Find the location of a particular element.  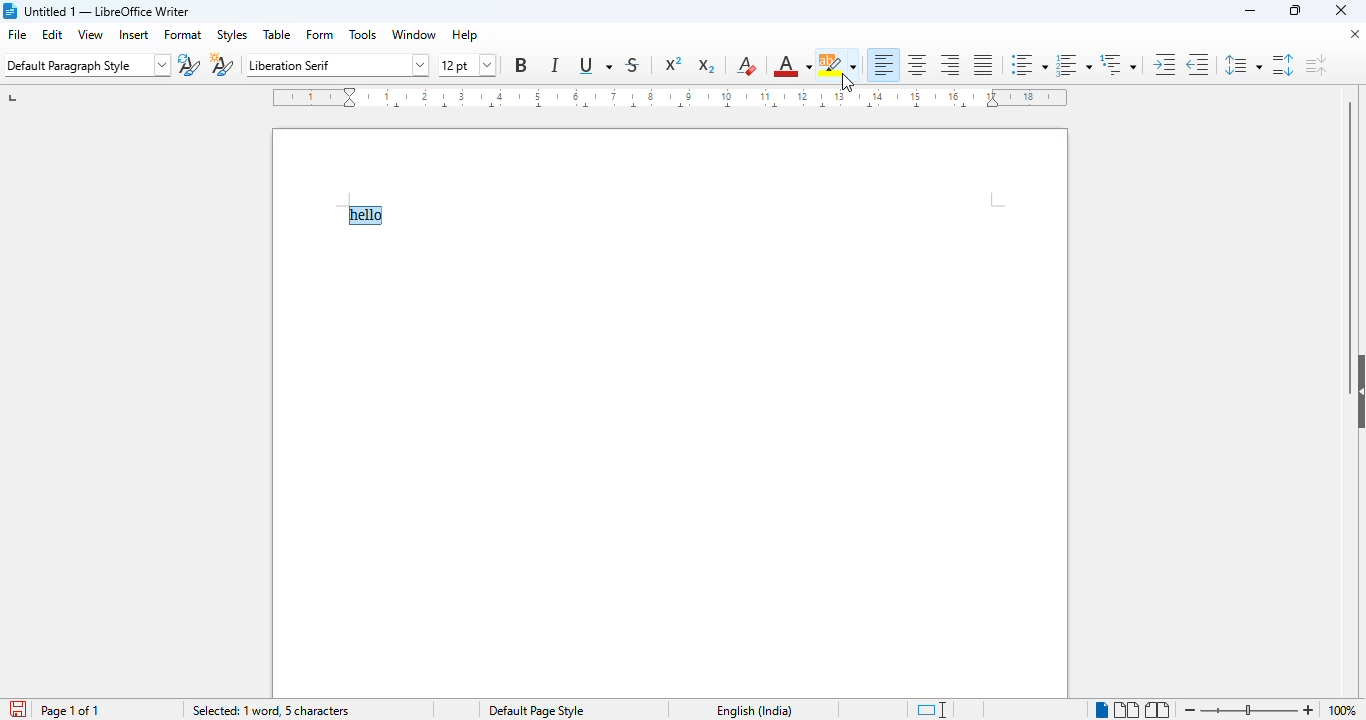

book view is located at coordinates (1158, 709).